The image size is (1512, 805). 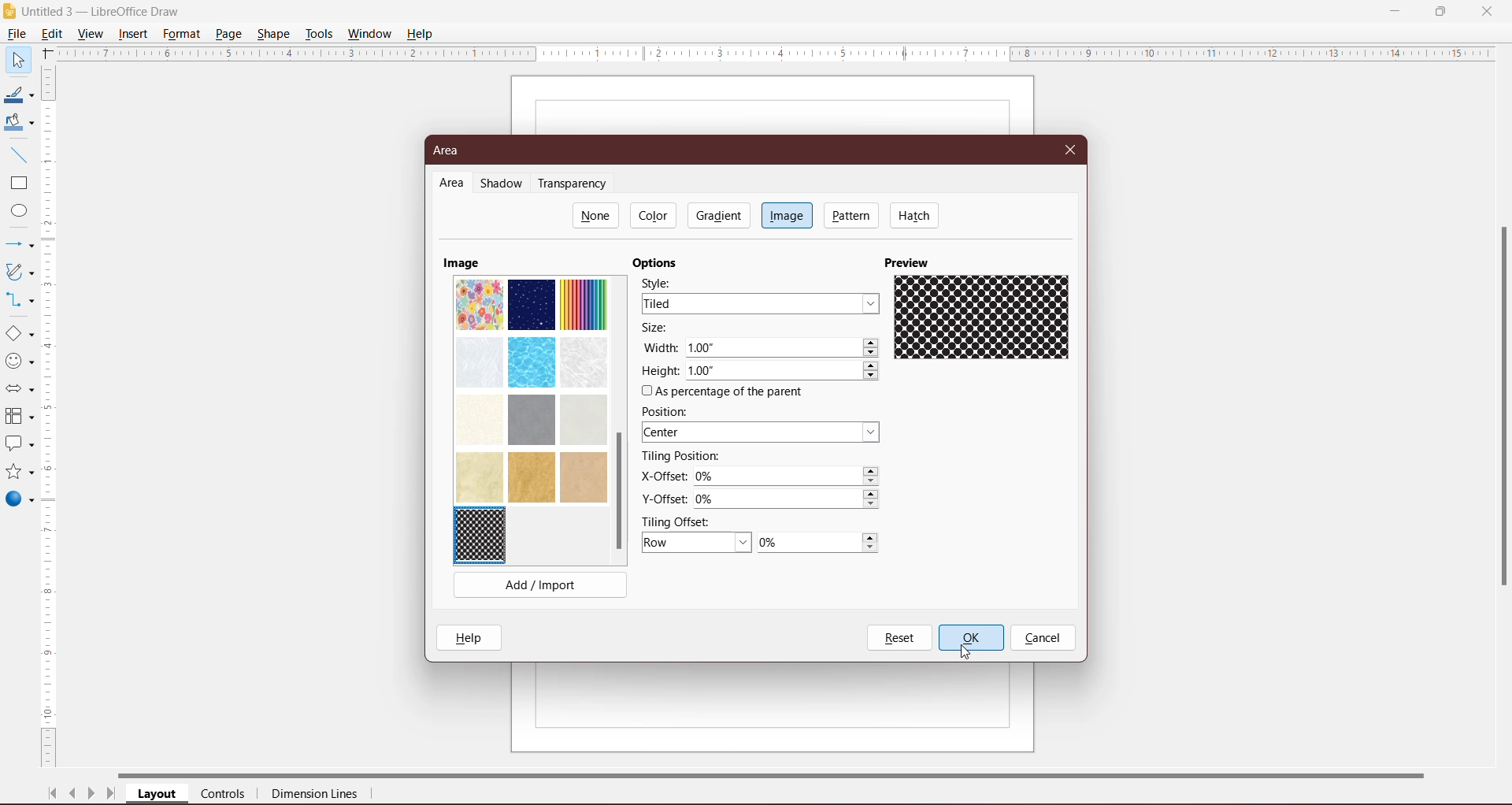 What do you see at coordinates (915, 215) in the screenshot?
I see `Hatch` at bounding box center [915, 215].